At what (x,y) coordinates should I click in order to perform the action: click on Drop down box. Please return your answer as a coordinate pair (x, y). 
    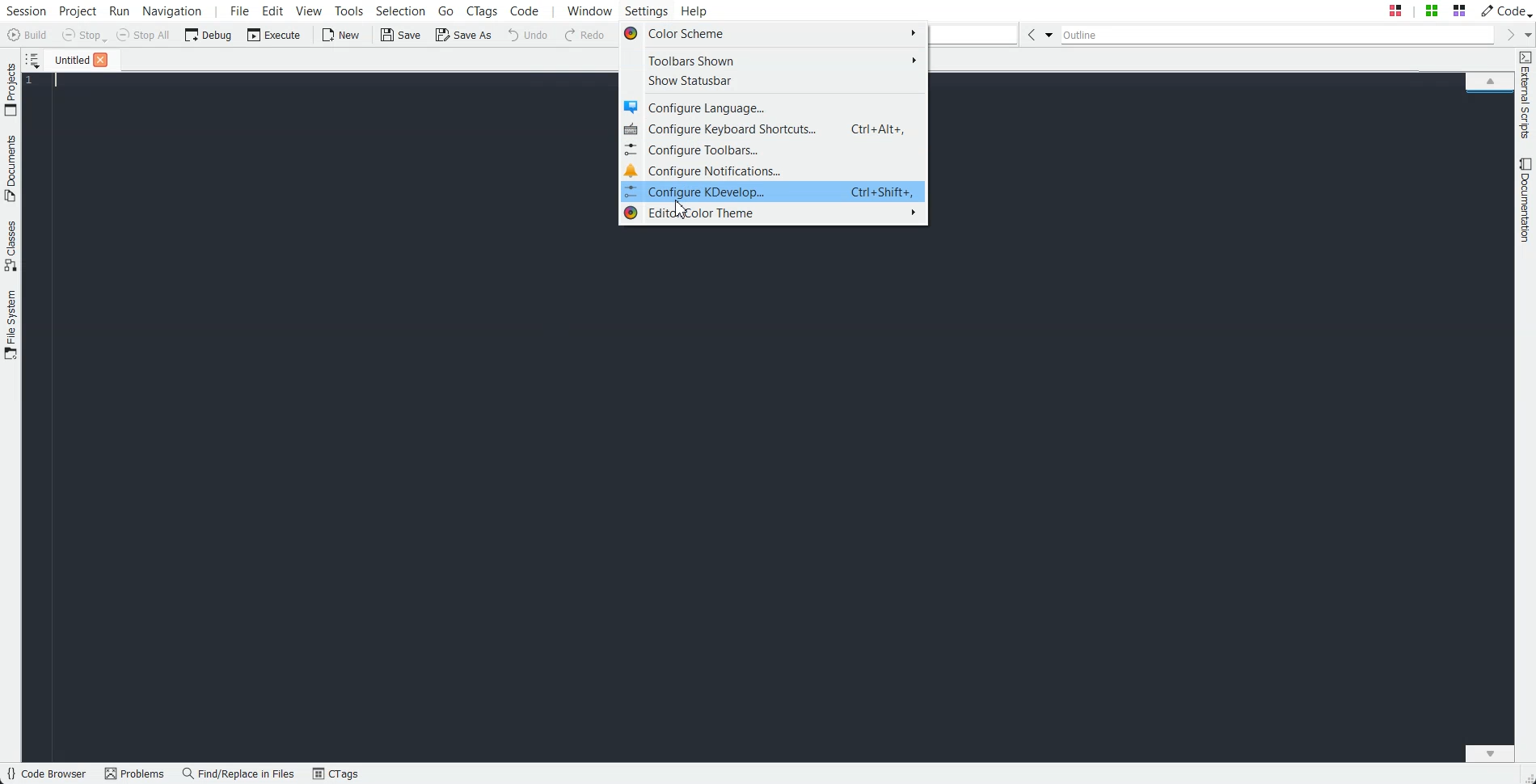
    Looking at the image, I should click on (1526, 34).